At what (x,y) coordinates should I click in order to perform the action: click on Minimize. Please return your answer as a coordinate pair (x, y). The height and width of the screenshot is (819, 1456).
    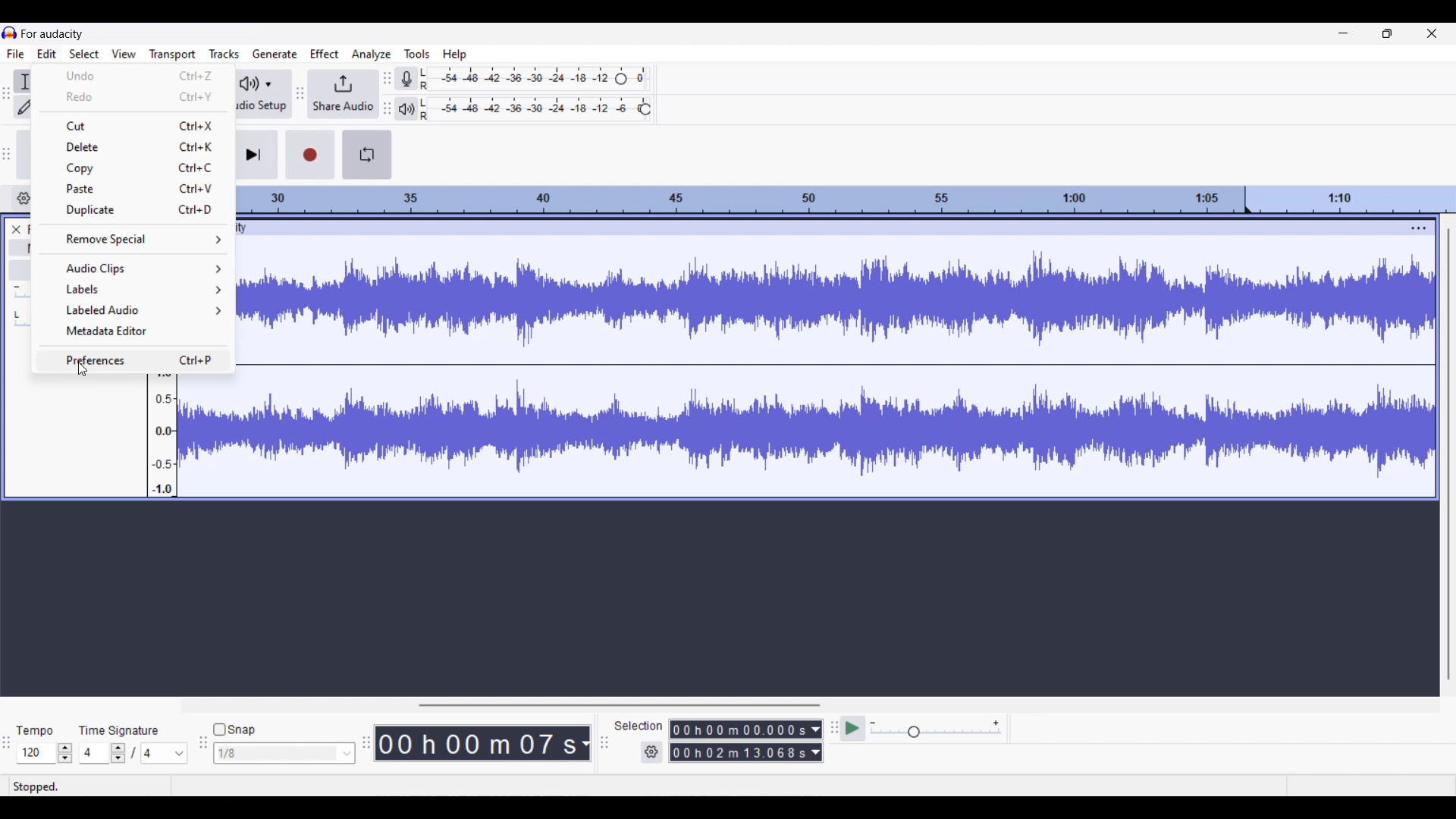
    Looking at the image, I should click on (1344, 33).